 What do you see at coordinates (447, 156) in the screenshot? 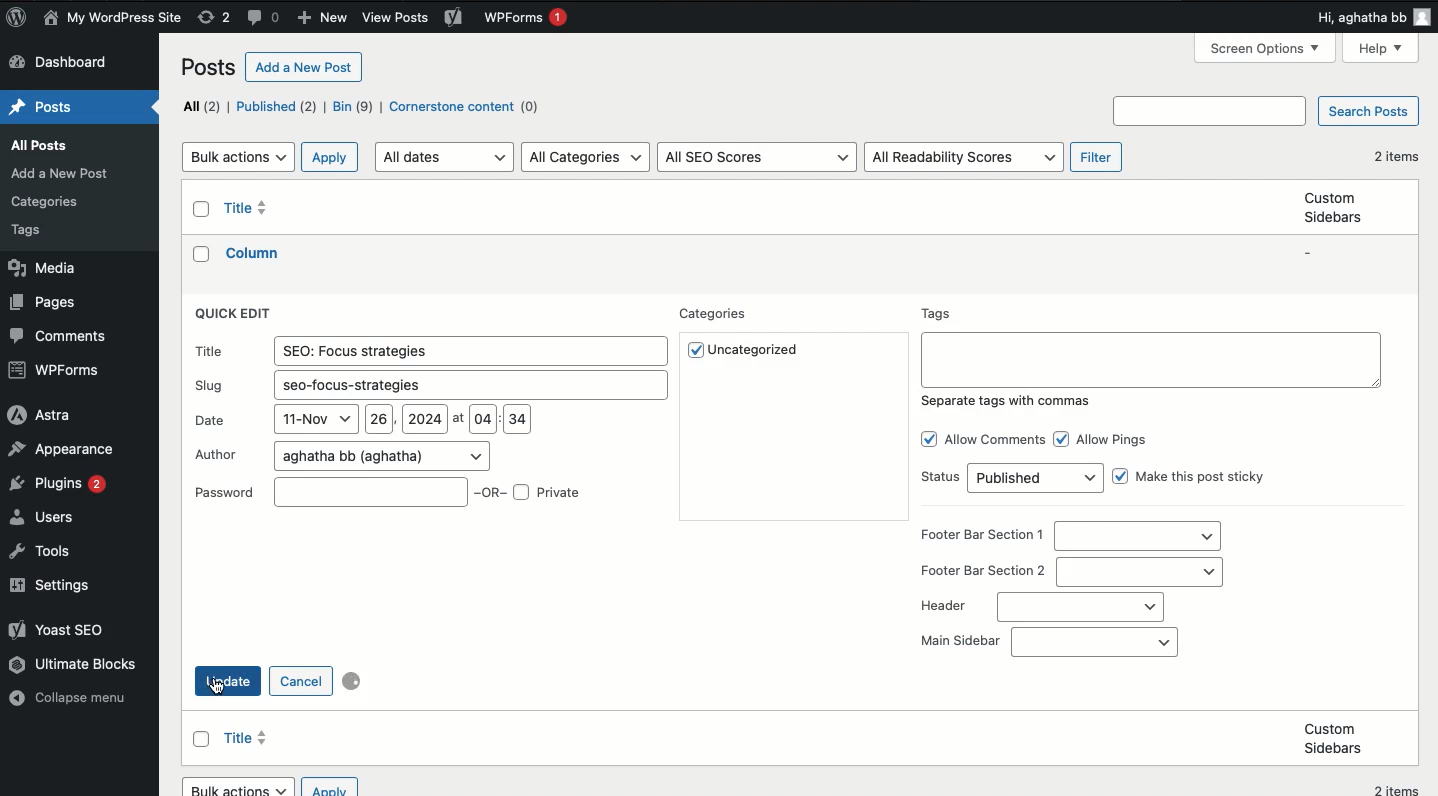
I see `All dates` at bounding box center [447, 156].